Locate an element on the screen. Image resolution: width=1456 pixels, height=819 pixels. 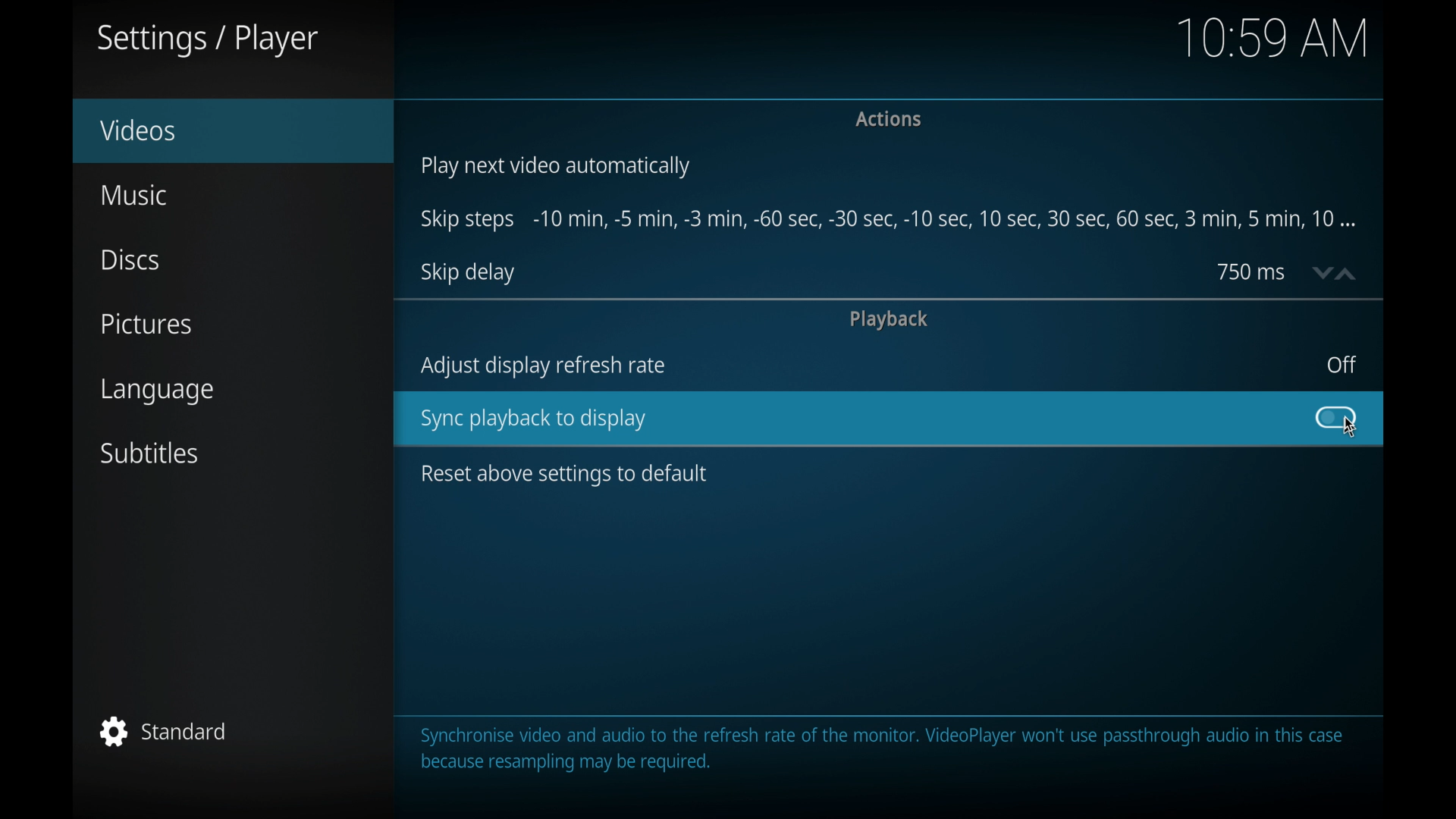
skip steps -10 min, -5 min-, -3 min- 60 sec-,5 min,10 min is located at coordinates (890, 219).